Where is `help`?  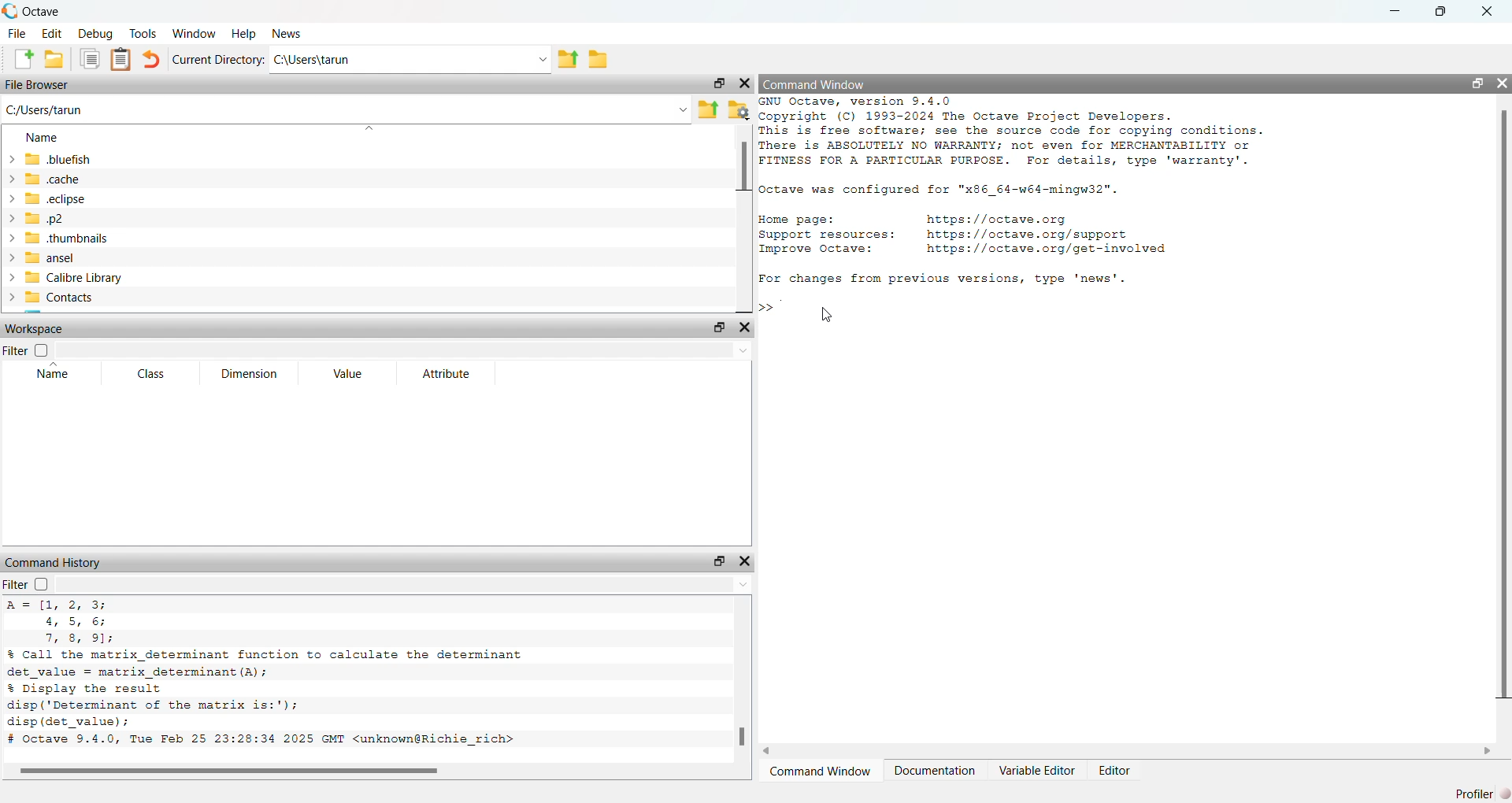 help is located at coordinates (244, 32).